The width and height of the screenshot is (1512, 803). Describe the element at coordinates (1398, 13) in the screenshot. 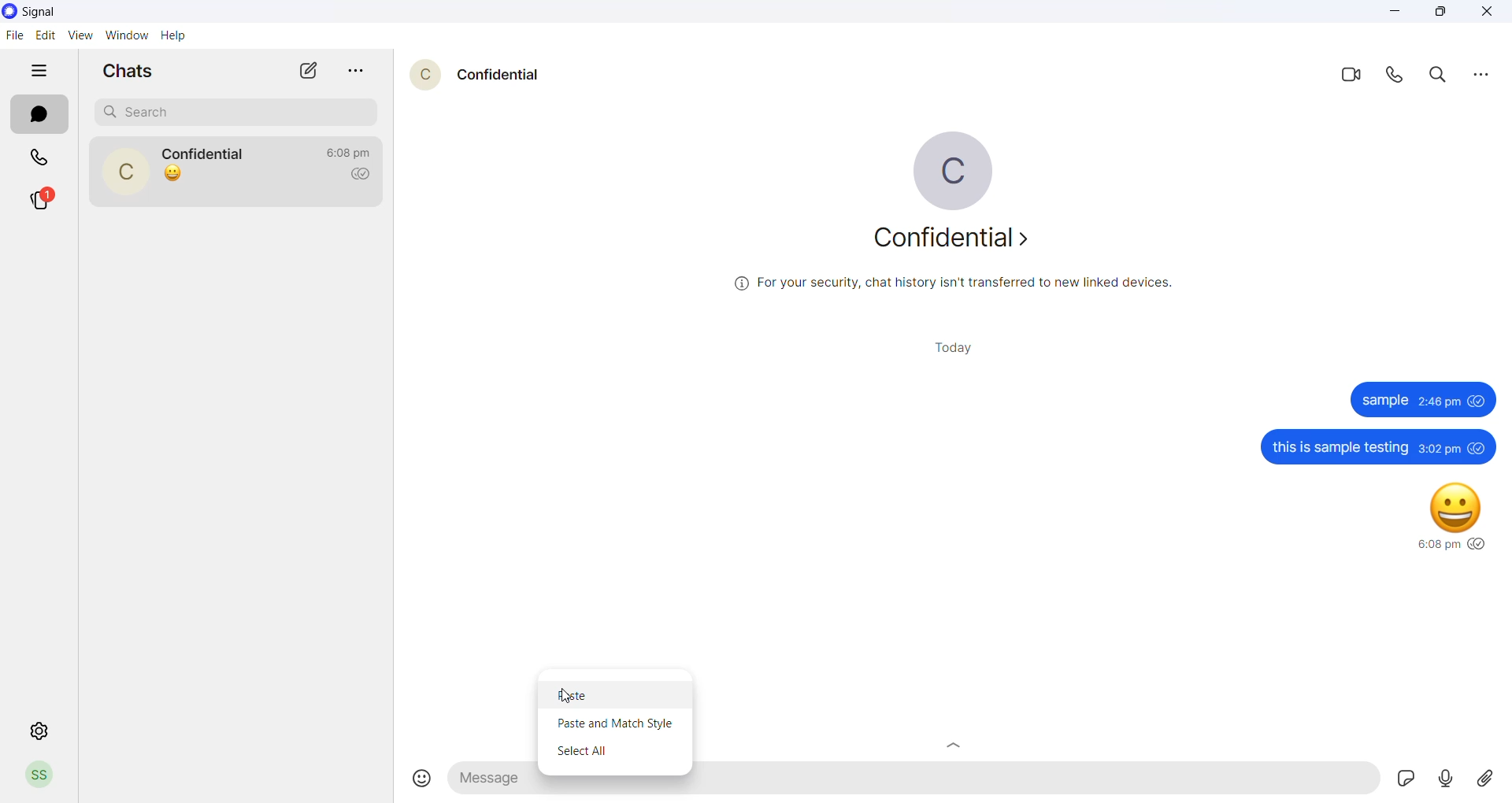

I see `minimize` at that location.